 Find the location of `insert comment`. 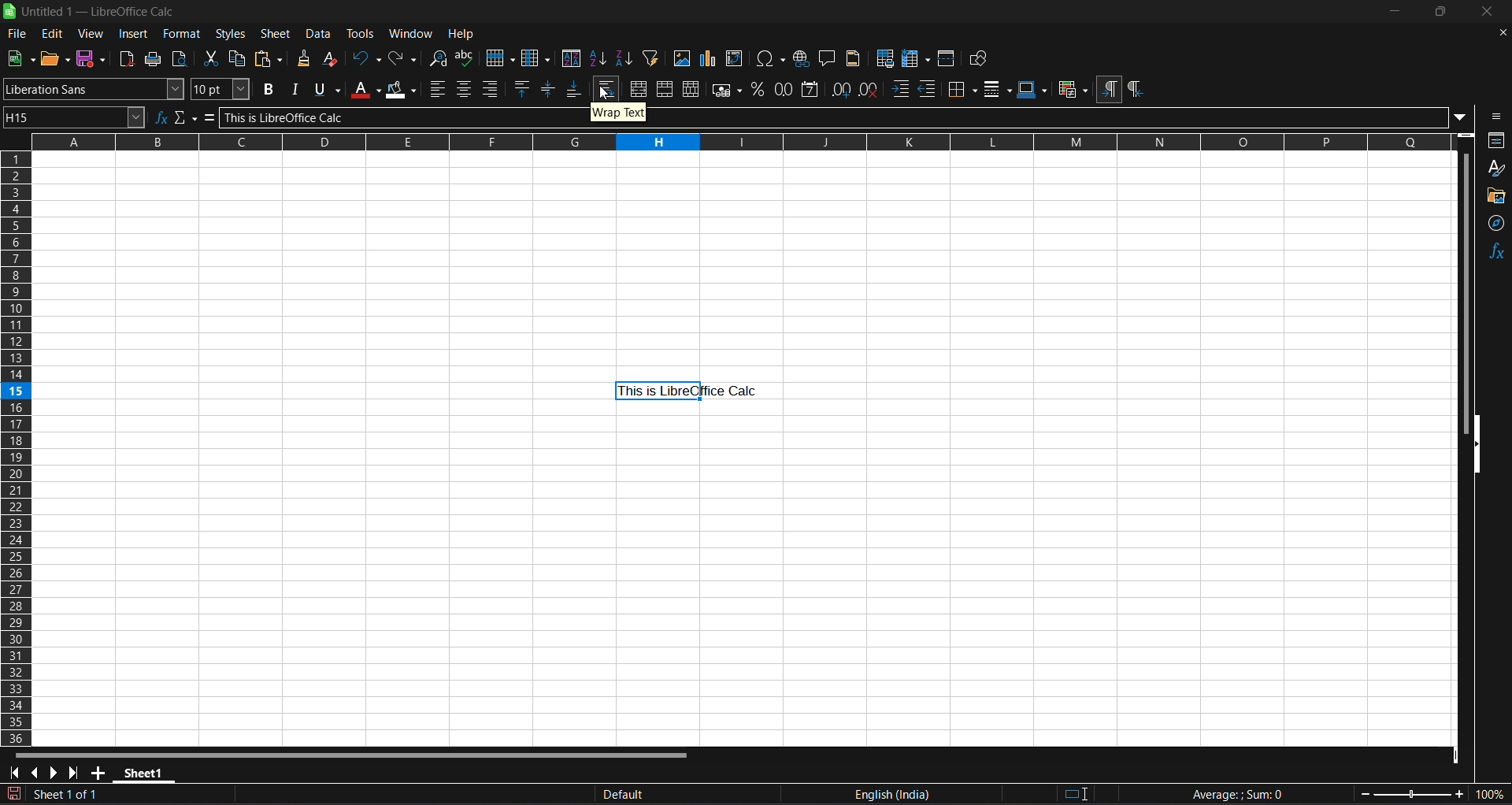

insert comment is located at coordinates (828, 57).